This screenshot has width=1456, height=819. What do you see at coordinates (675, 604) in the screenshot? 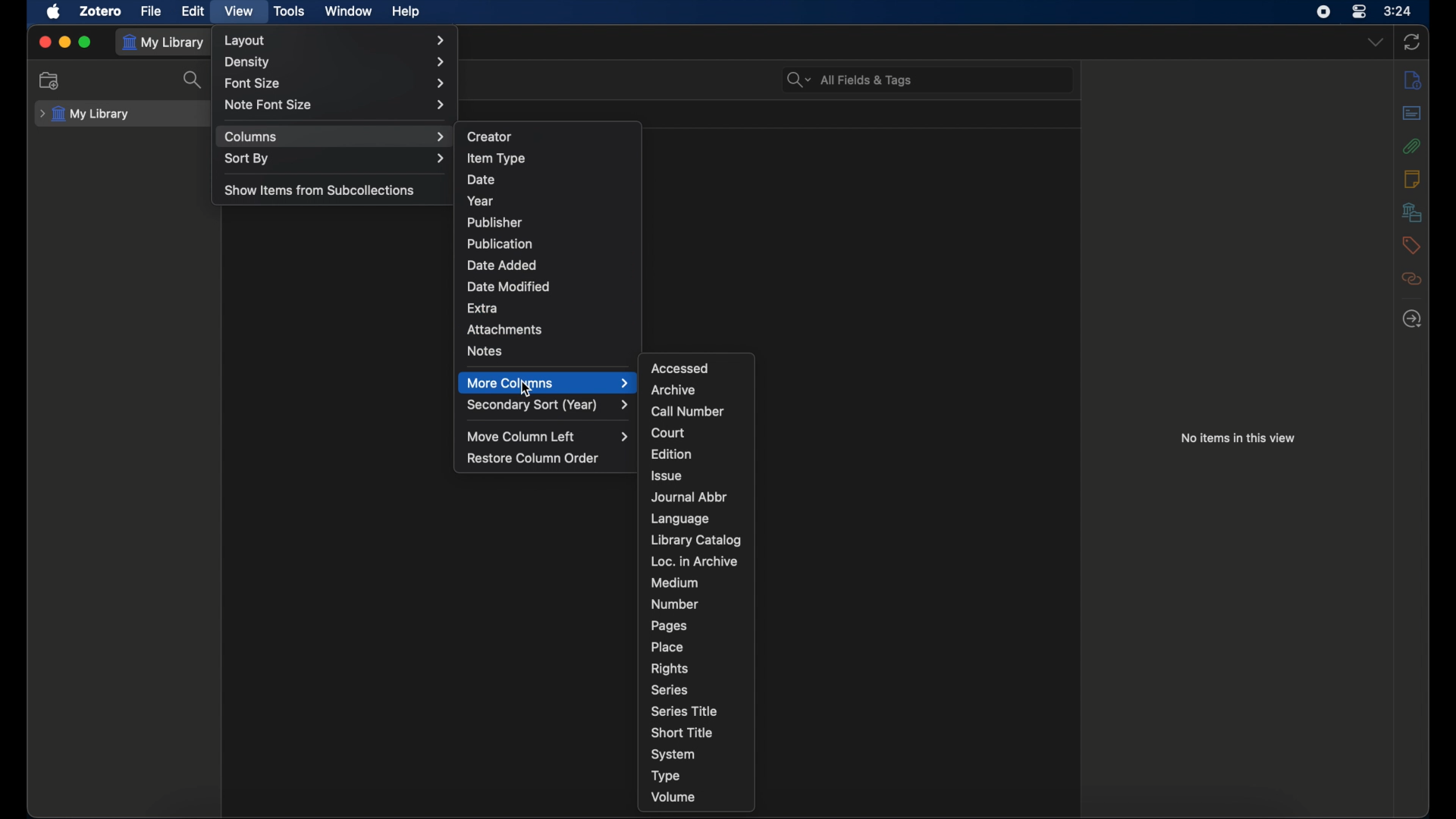
I see `number` at bounding box center [675, 604].